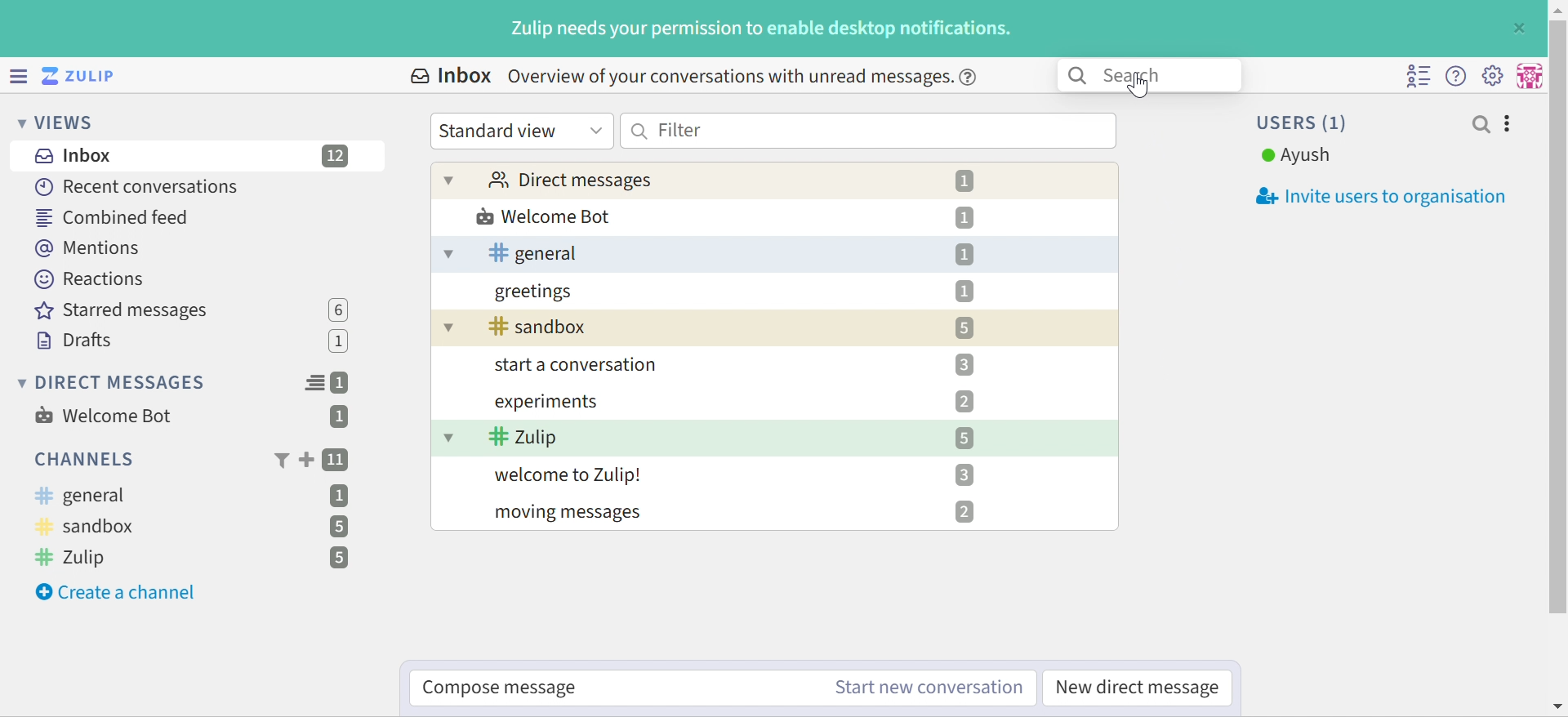  Describe the element at coordinates (314, 383) in the screenshot. I see `Direct message feed` at that location.